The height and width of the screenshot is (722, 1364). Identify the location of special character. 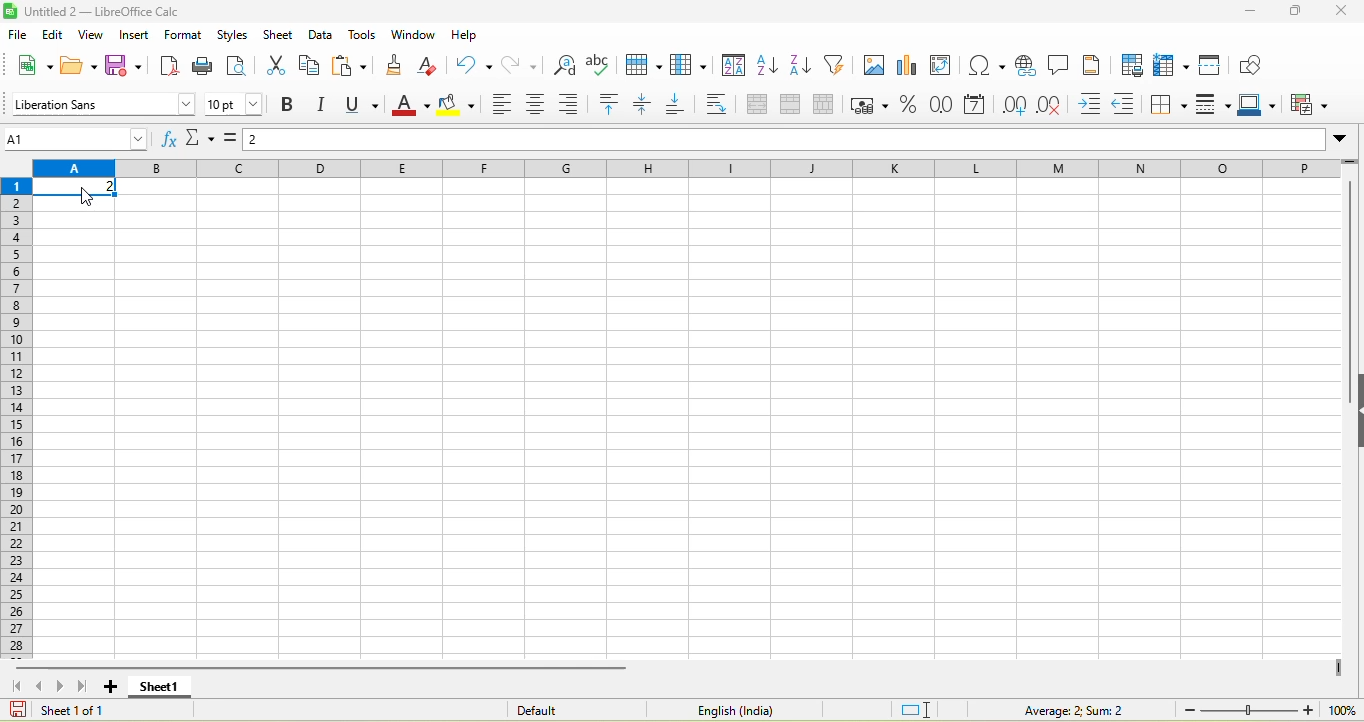
(986, 65).